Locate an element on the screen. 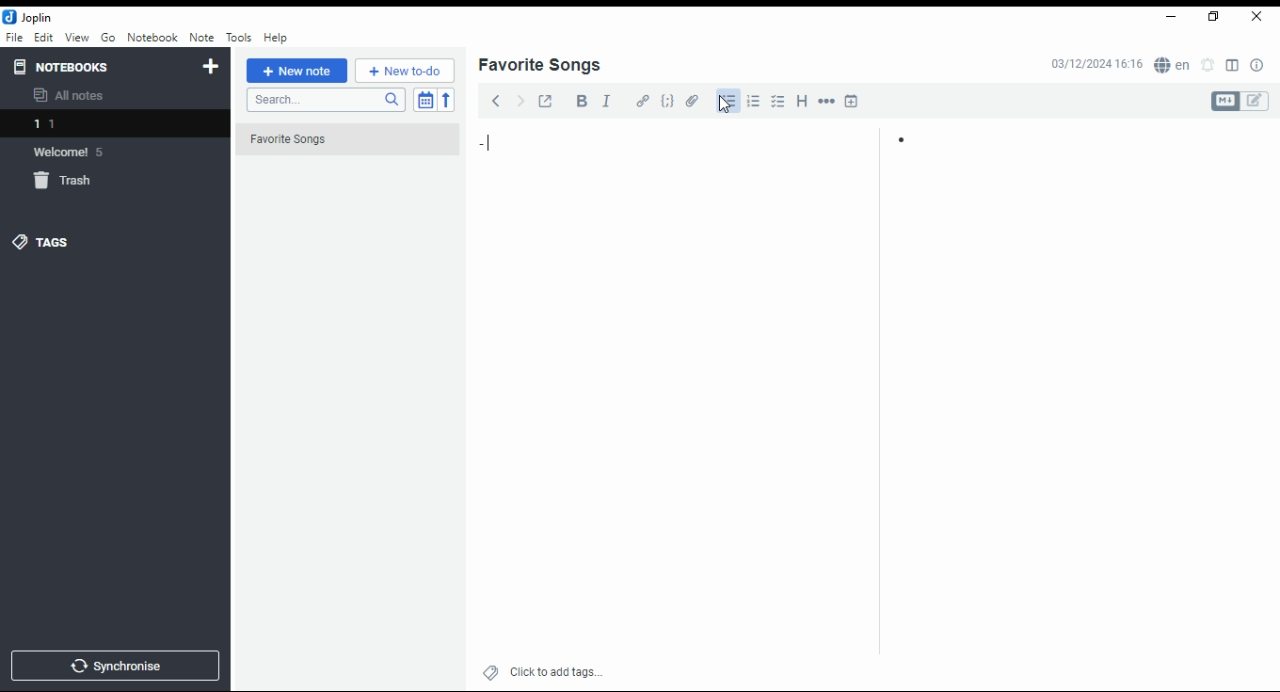 Image resolution: width=1280 pixels, height=692 pixels. new notebook is located at coordinates (211, 67).